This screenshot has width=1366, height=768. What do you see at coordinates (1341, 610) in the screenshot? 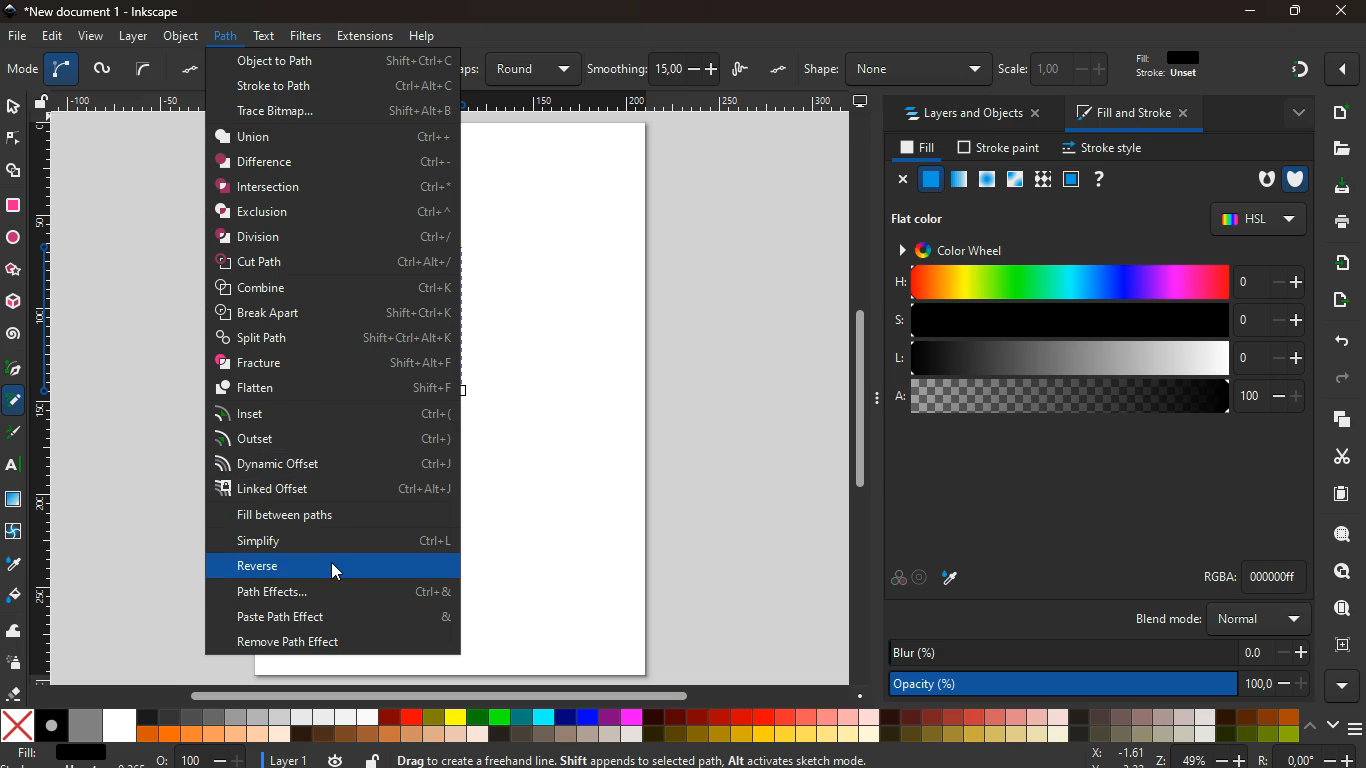
I see `look` at bounding box center [1341, 610].